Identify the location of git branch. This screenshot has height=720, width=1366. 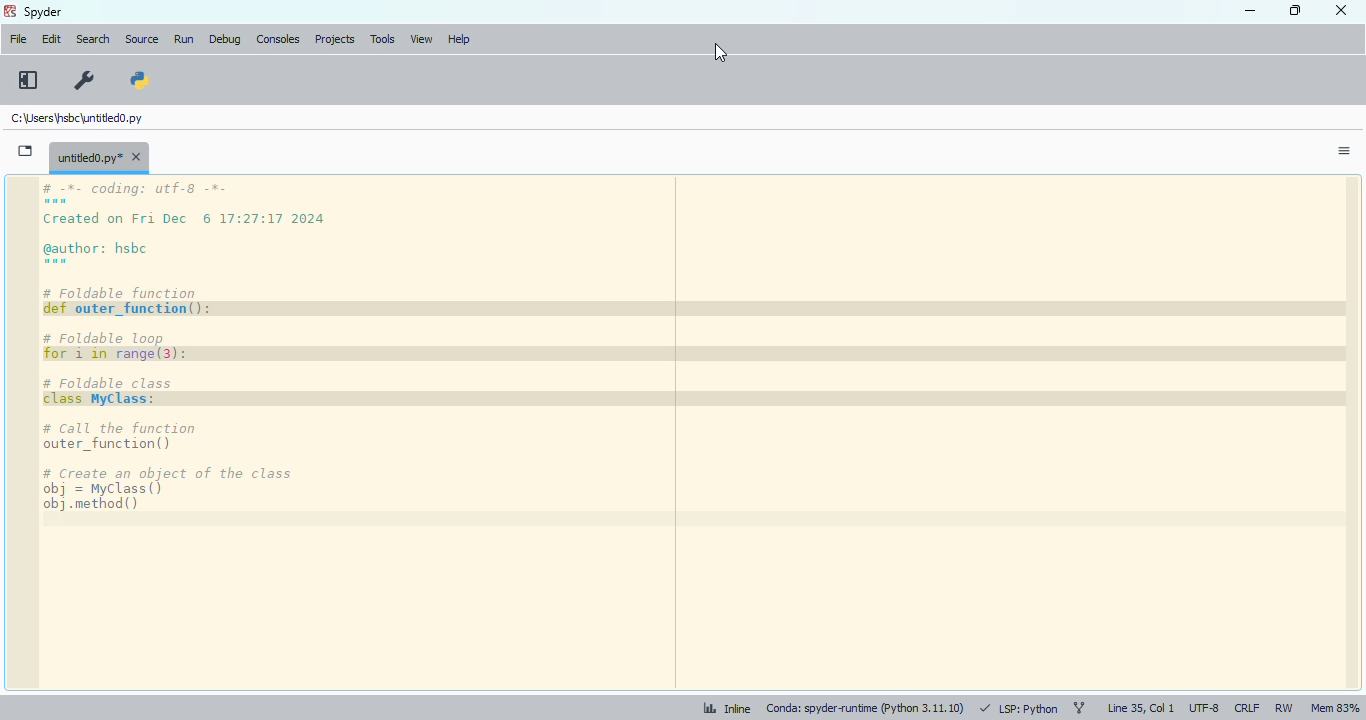
(1080, 705).